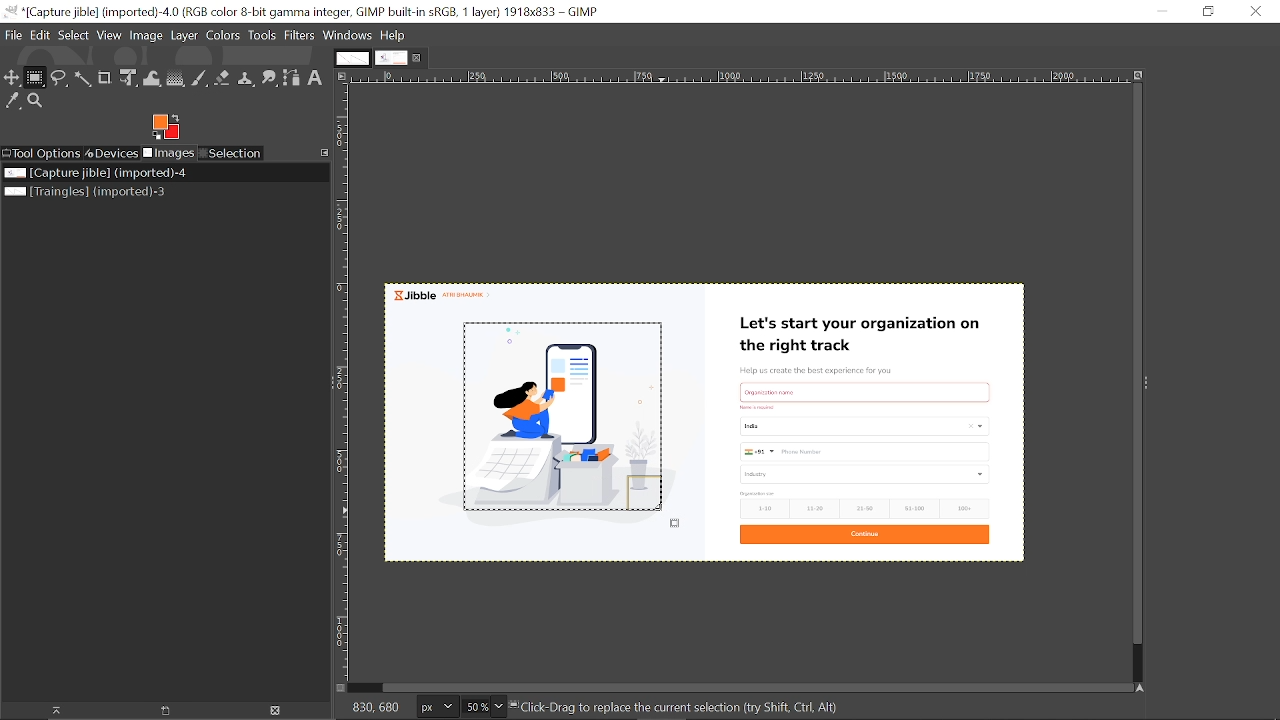 The image size is (1280, 720). I want to click on Navigate the image's display, so click(1142, 687).